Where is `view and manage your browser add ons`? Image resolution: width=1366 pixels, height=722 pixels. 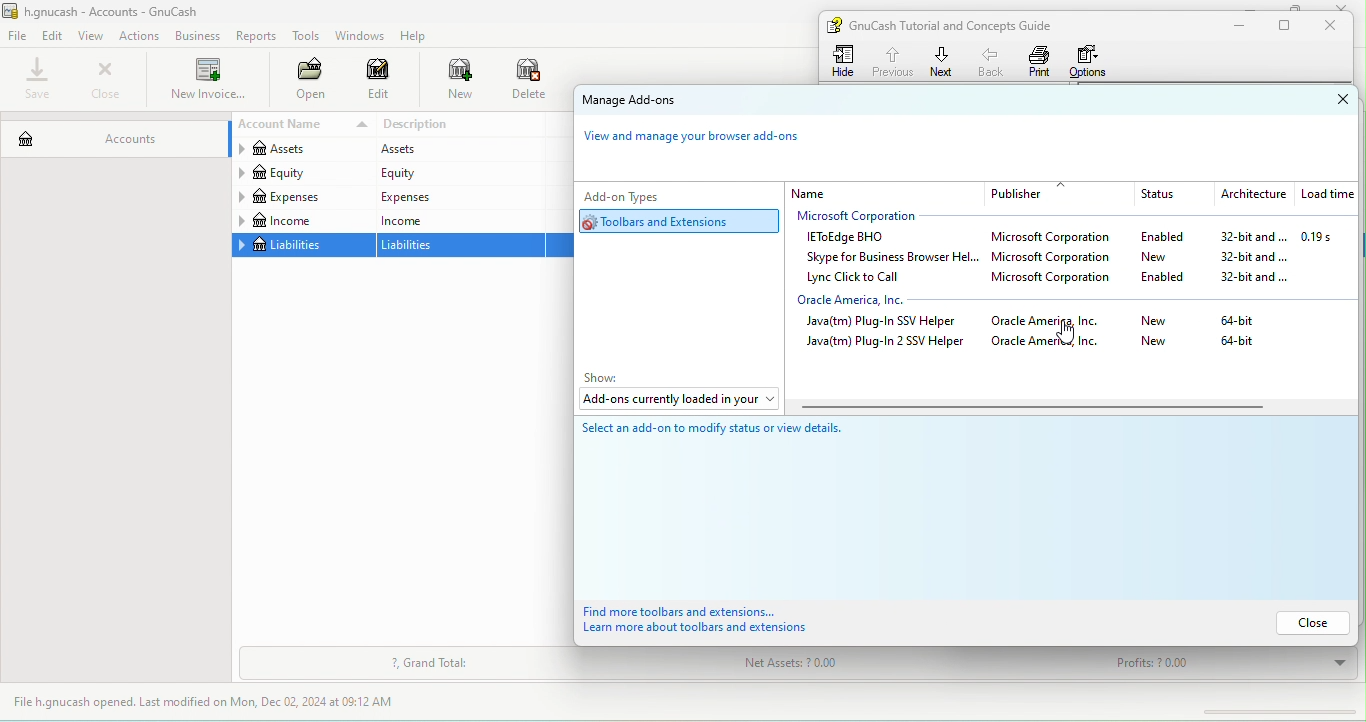
view and manage your browser add ons is located at coordinates (702, 141).